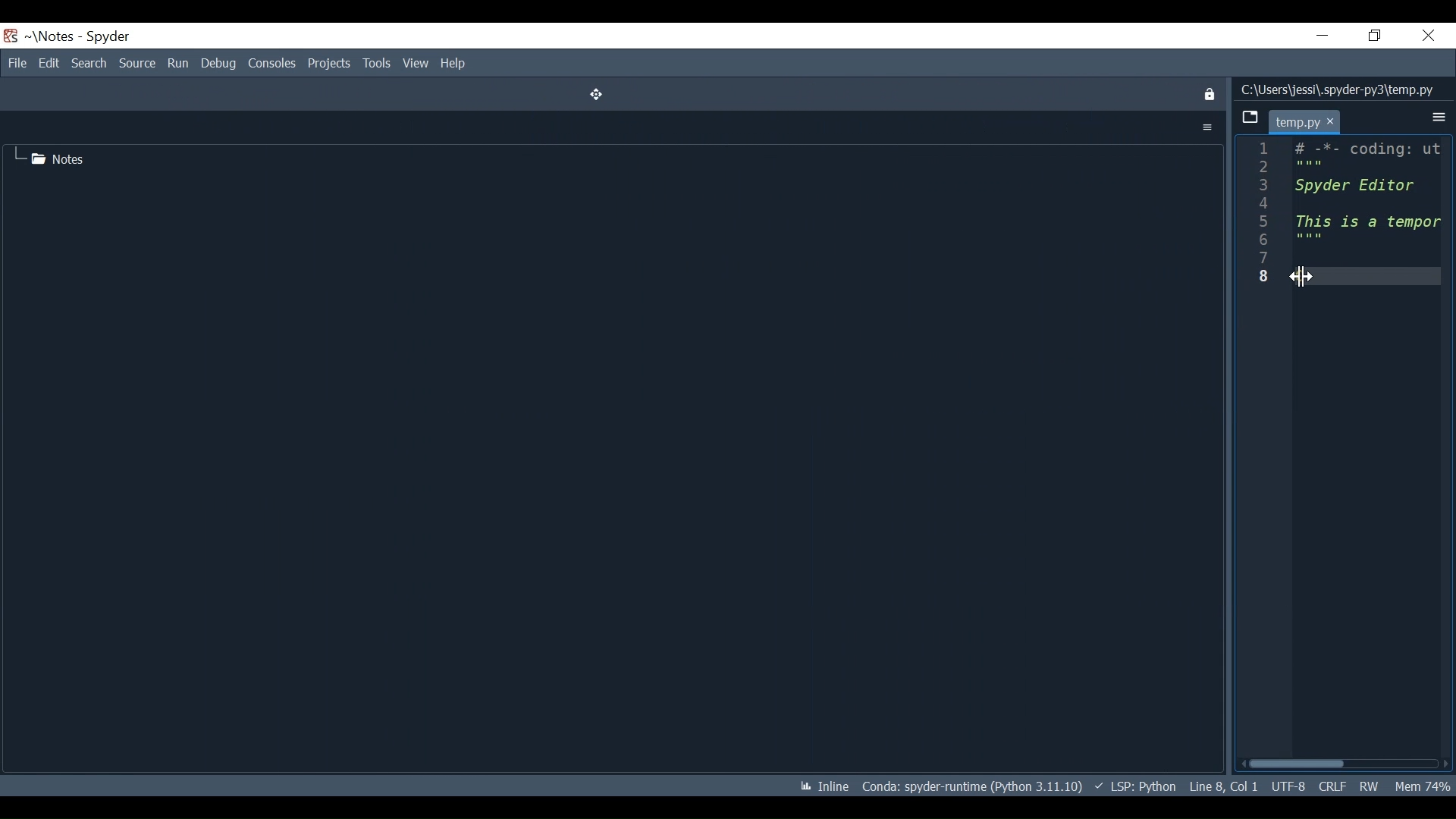  Describe the element at coordinates (137, 63) in the screenshot. I see `Source` at that location.